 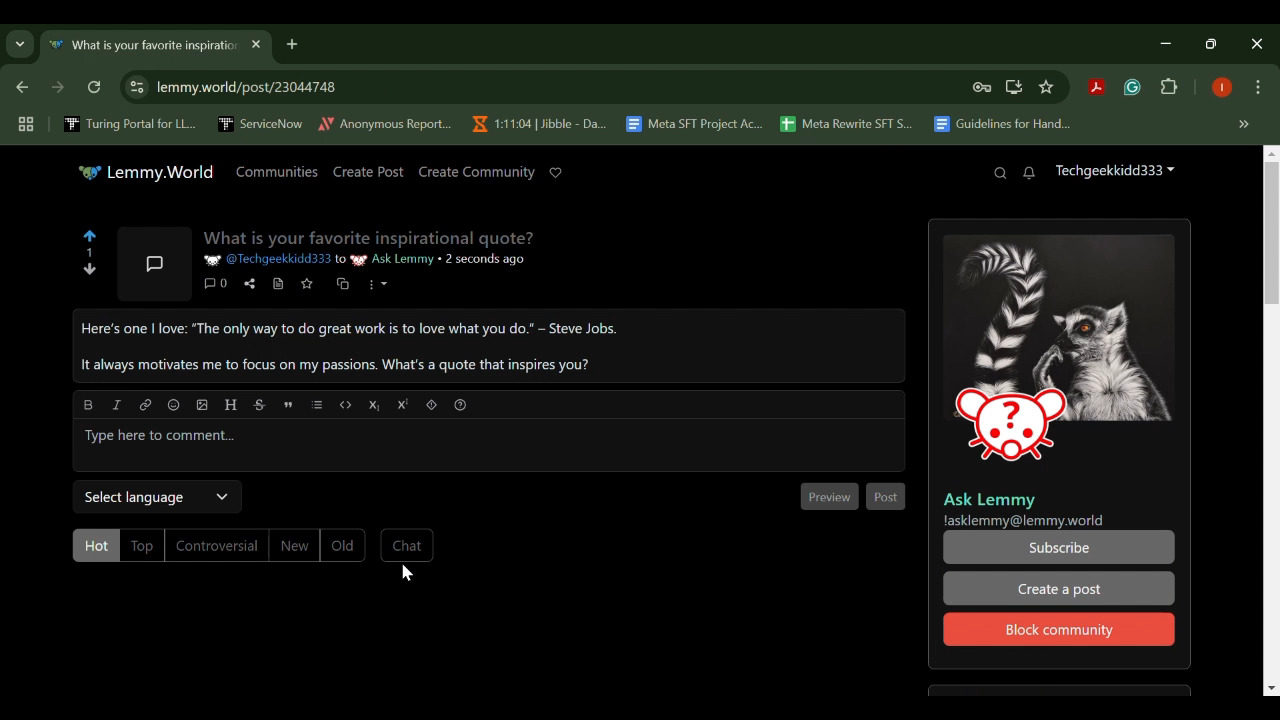 What do you see at coordinates (343, 547) in the screenshot?
I see `Old` at bounding box center [343, 547].